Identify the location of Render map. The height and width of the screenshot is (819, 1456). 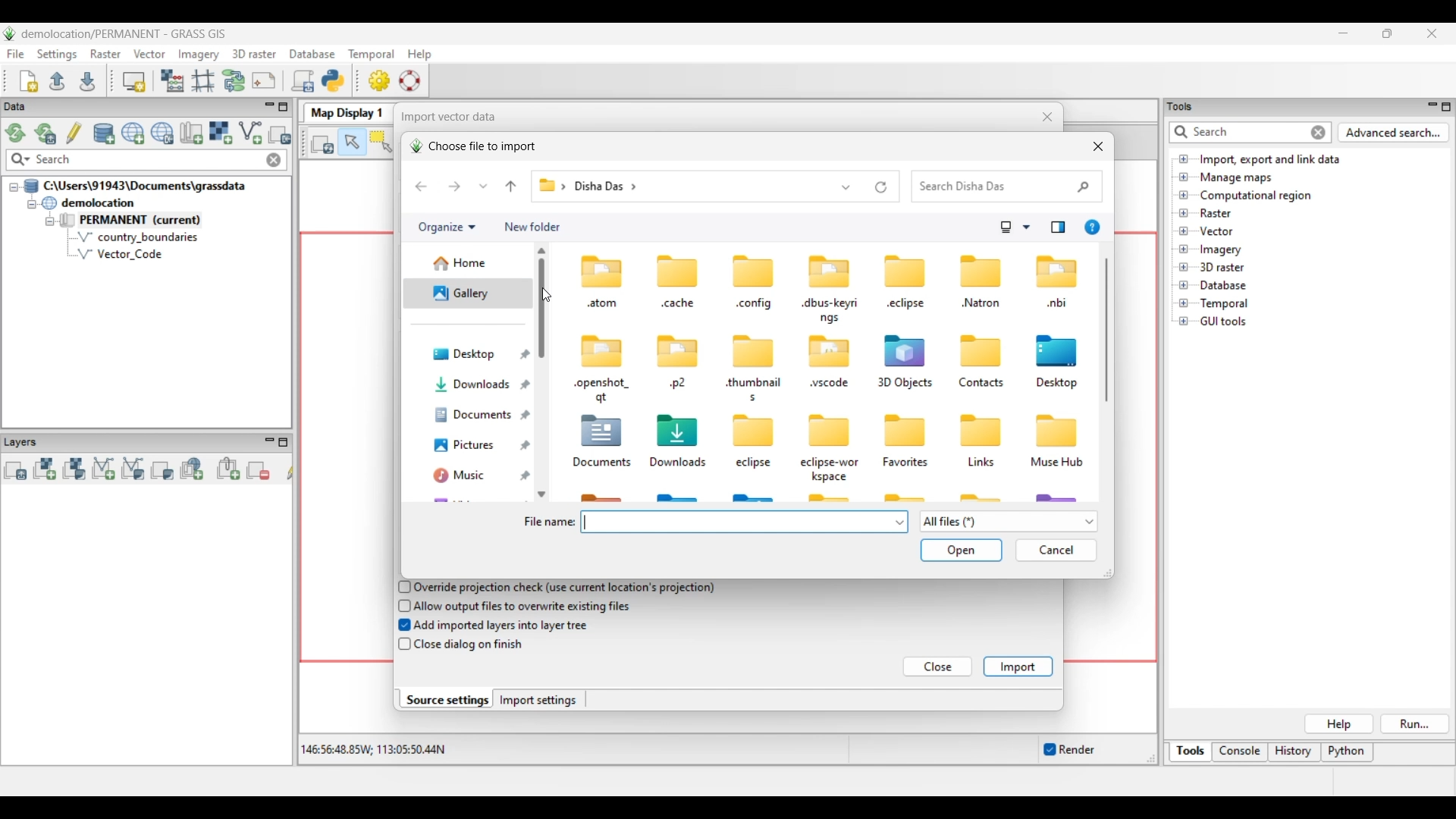
(323, 143).